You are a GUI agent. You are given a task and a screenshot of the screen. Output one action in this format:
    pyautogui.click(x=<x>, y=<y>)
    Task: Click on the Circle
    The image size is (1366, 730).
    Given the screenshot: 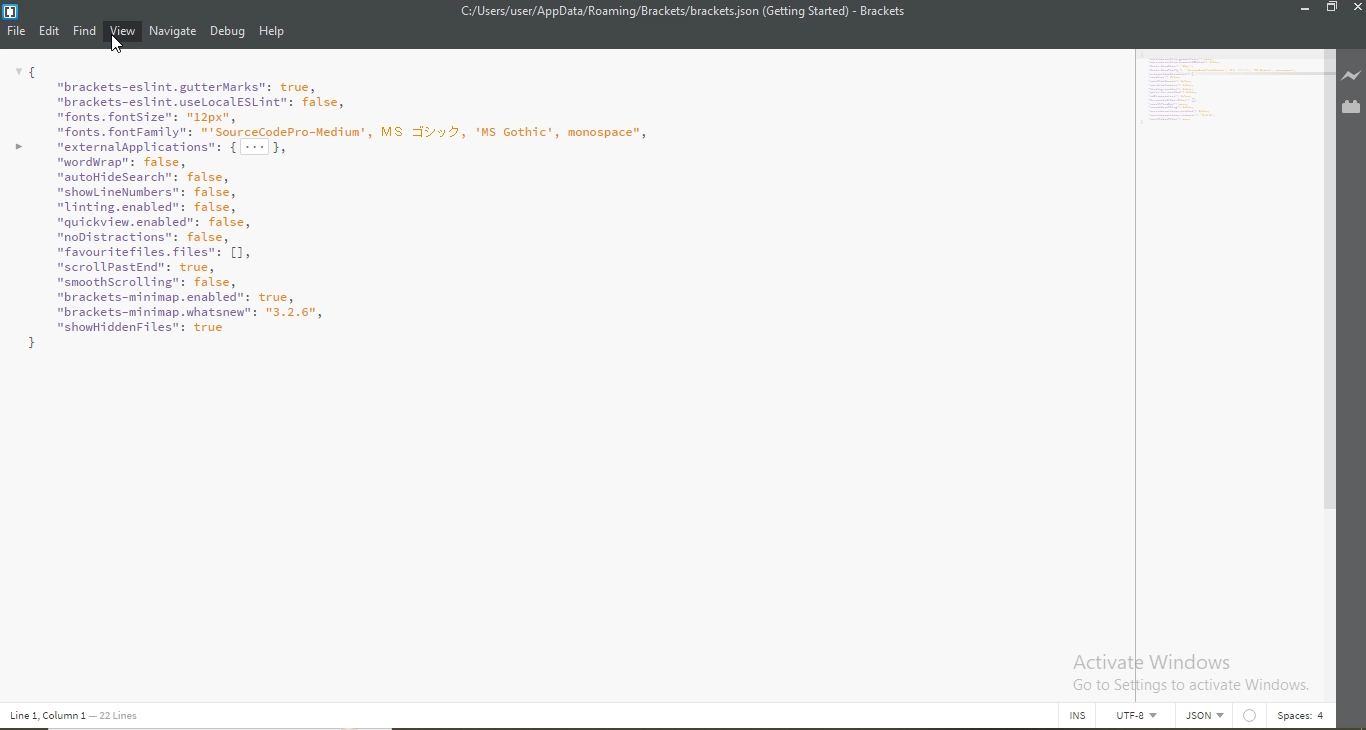 What is the action you would take?
    pyautogui.click(x=1252, y=716)
    